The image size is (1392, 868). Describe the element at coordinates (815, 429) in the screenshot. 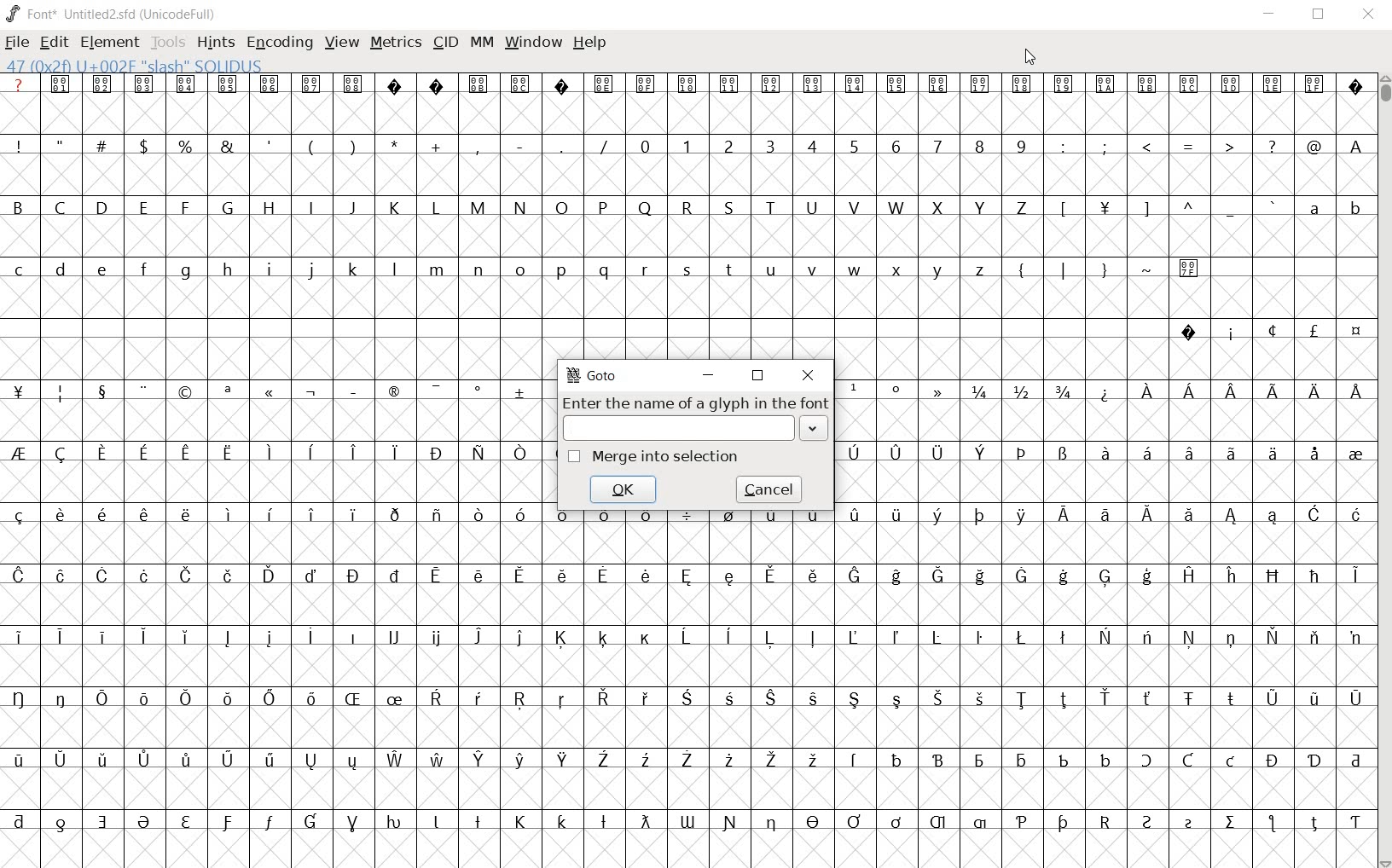

I see `drop down arrow` at that location.